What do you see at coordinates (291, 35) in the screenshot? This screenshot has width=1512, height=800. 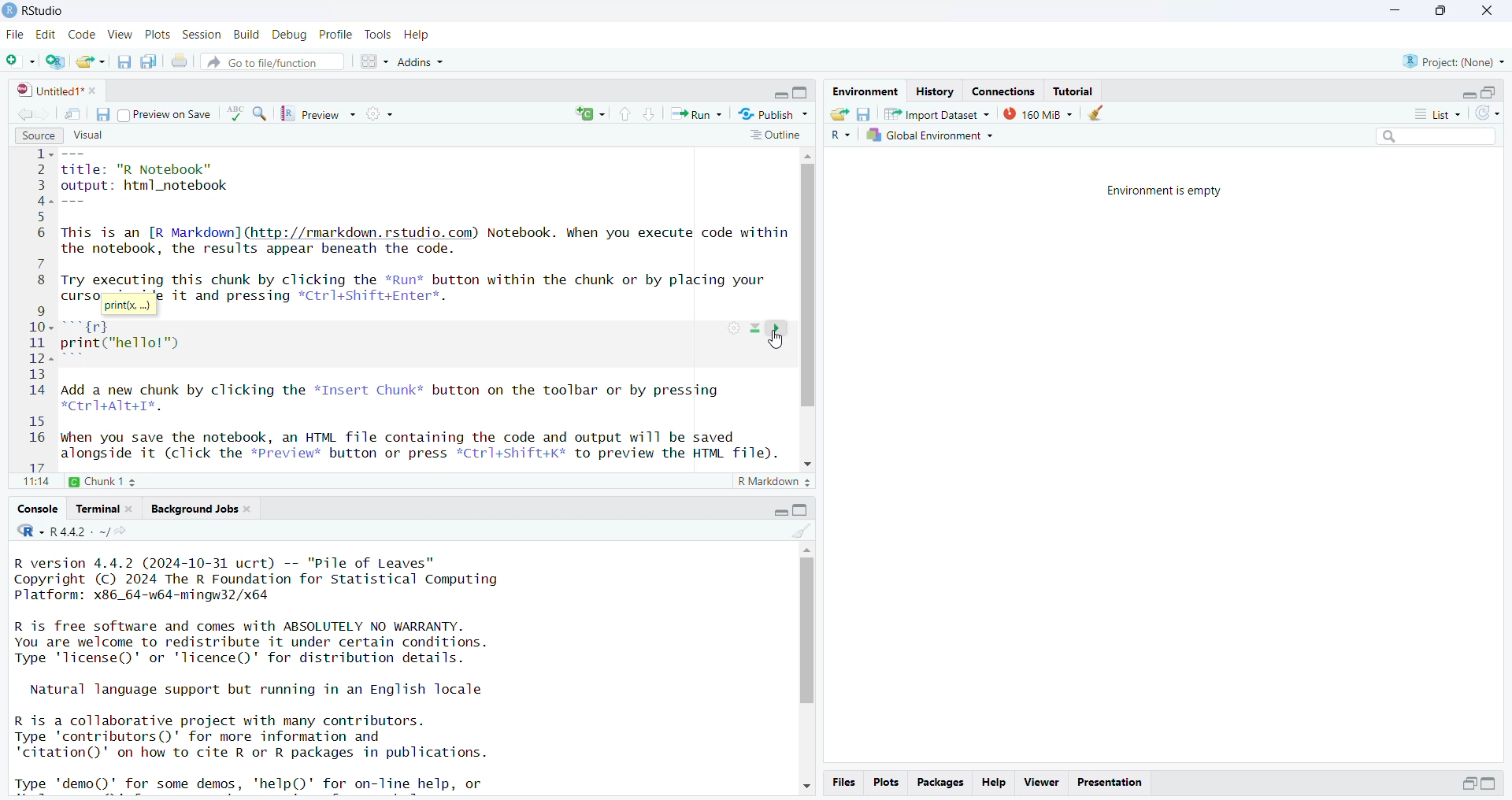 I see `debug` at bounding box center [291, 35].